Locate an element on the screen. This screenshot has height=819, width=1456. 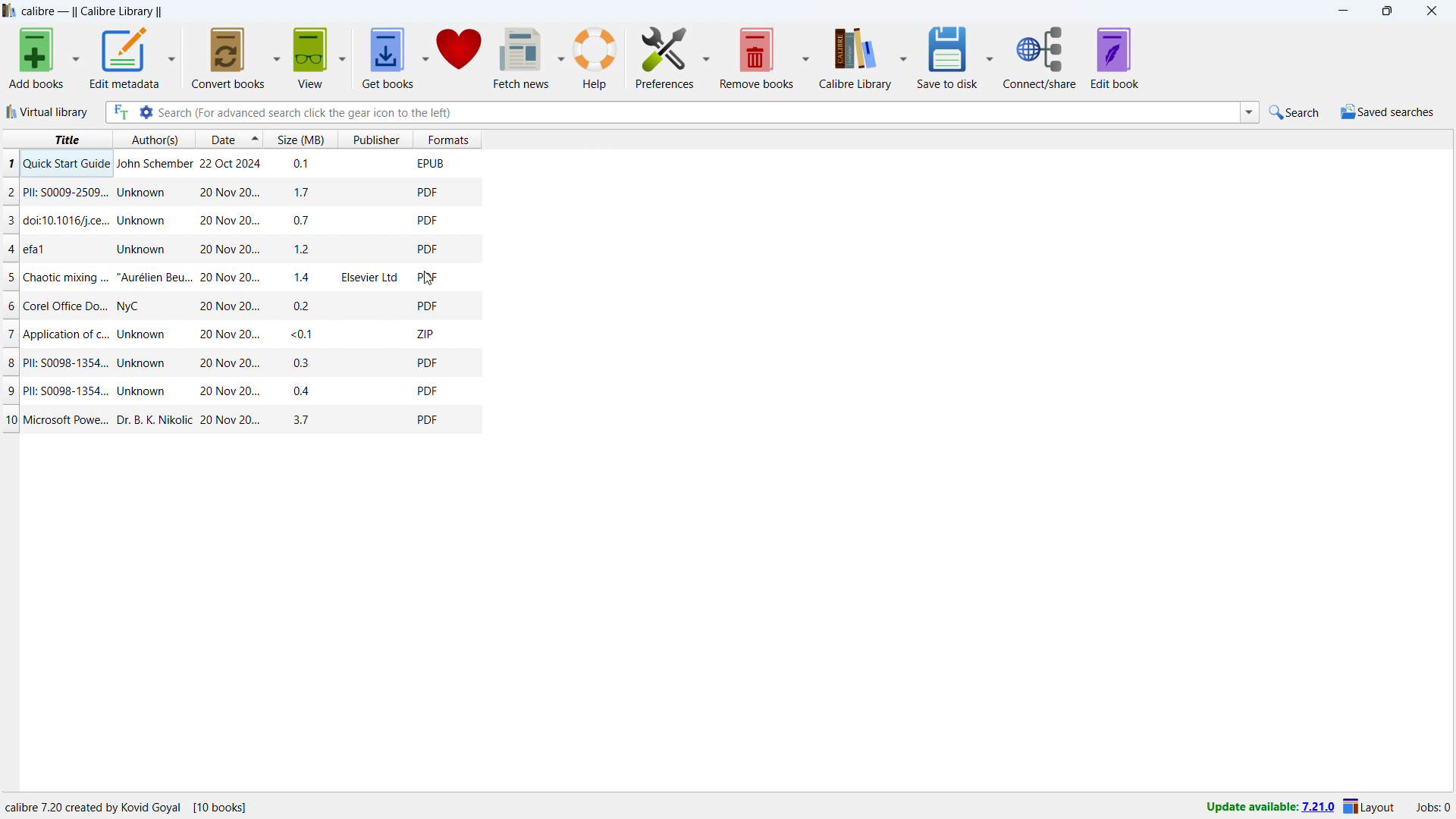
cursor is located at coordinates (428, 279).